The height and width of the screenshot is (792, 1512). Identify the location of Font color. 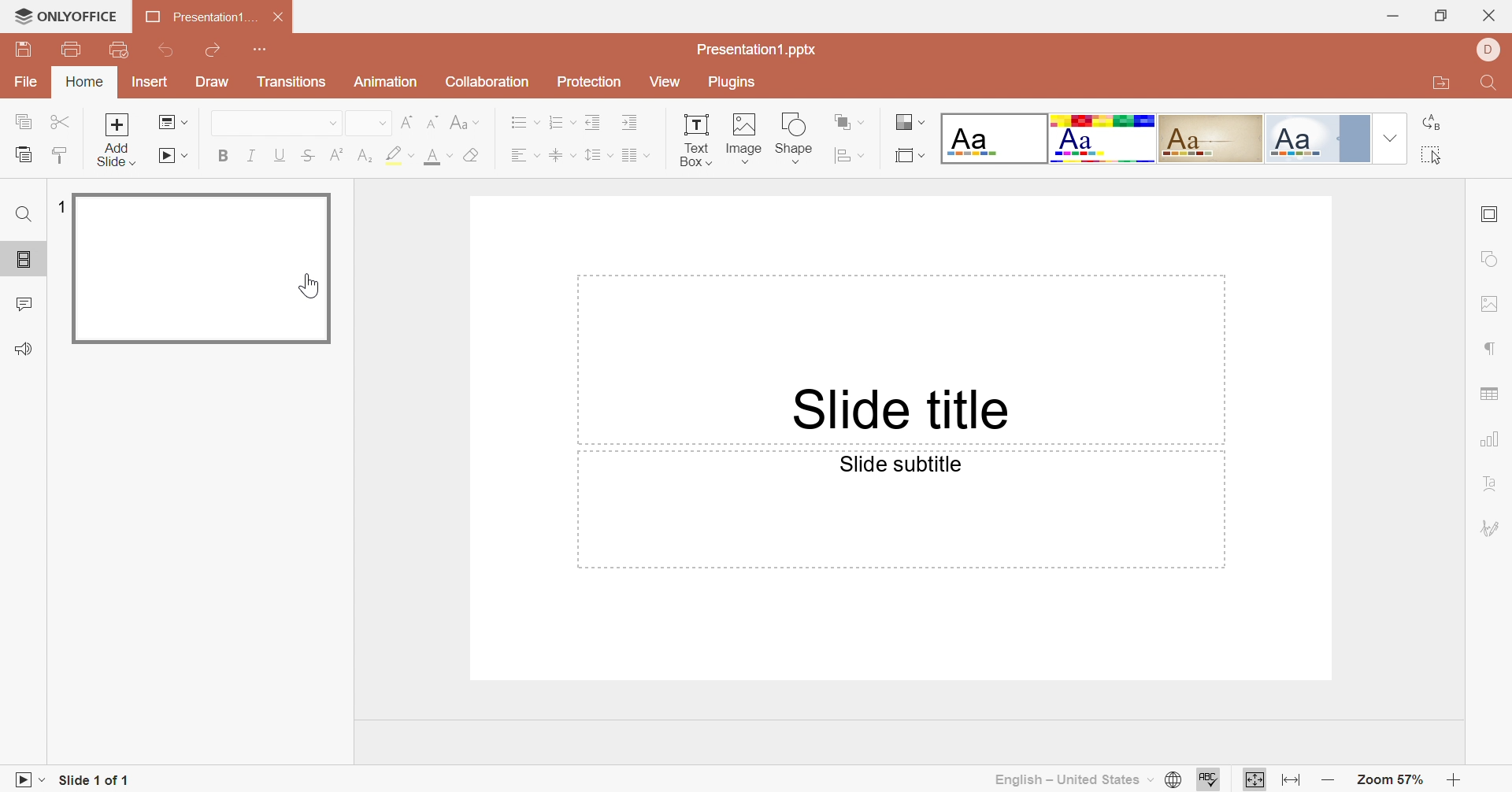
(435, 157).